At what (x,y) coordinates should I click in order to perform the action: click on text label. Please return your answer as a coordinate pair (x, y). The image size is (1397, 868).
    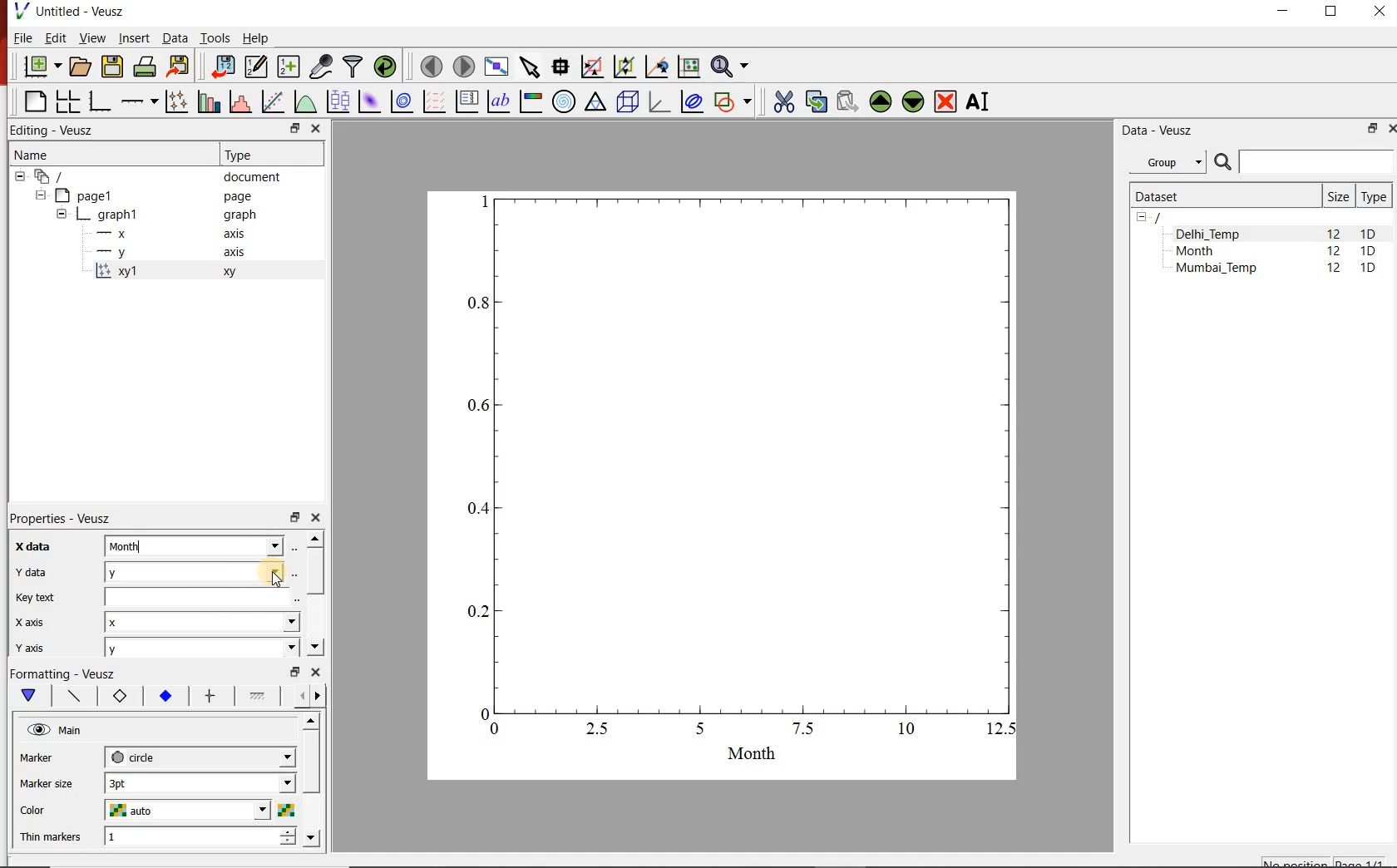
    Looking at the image, I should click on (498, 101).